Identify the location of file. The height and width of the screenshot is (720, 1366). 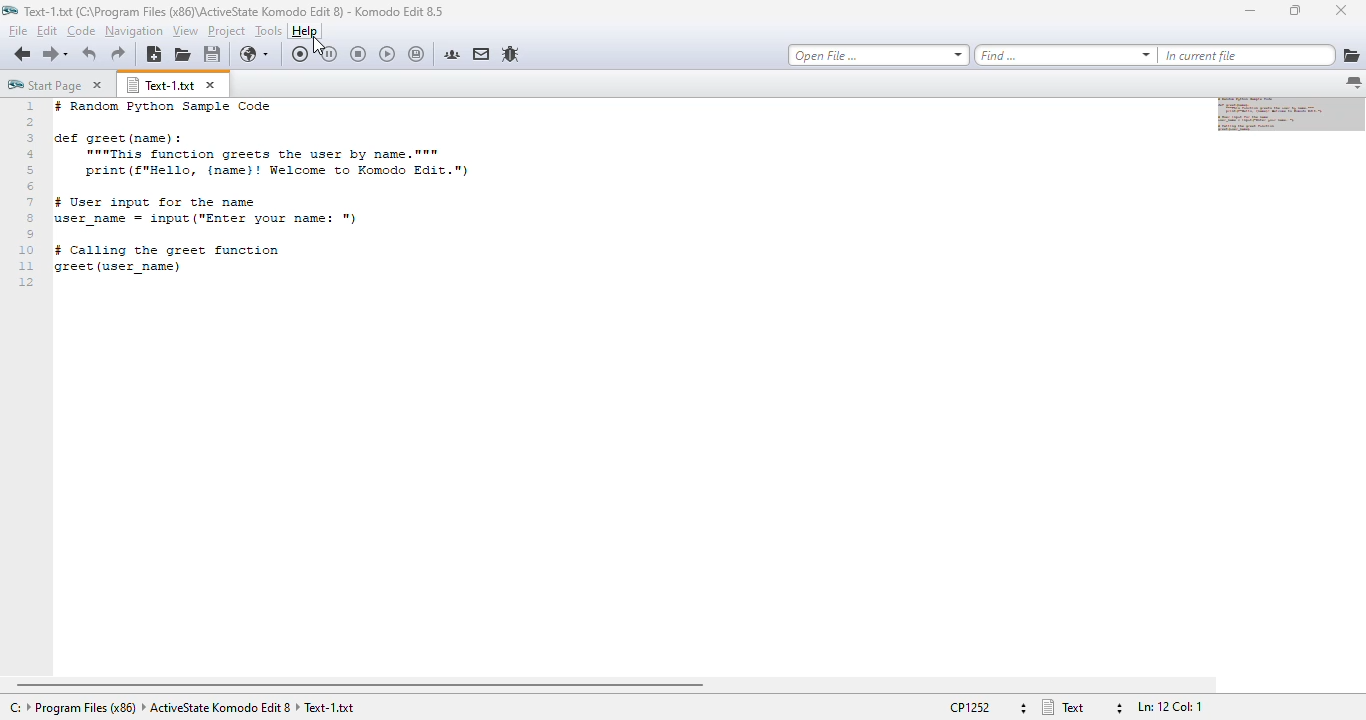
(17, 30).